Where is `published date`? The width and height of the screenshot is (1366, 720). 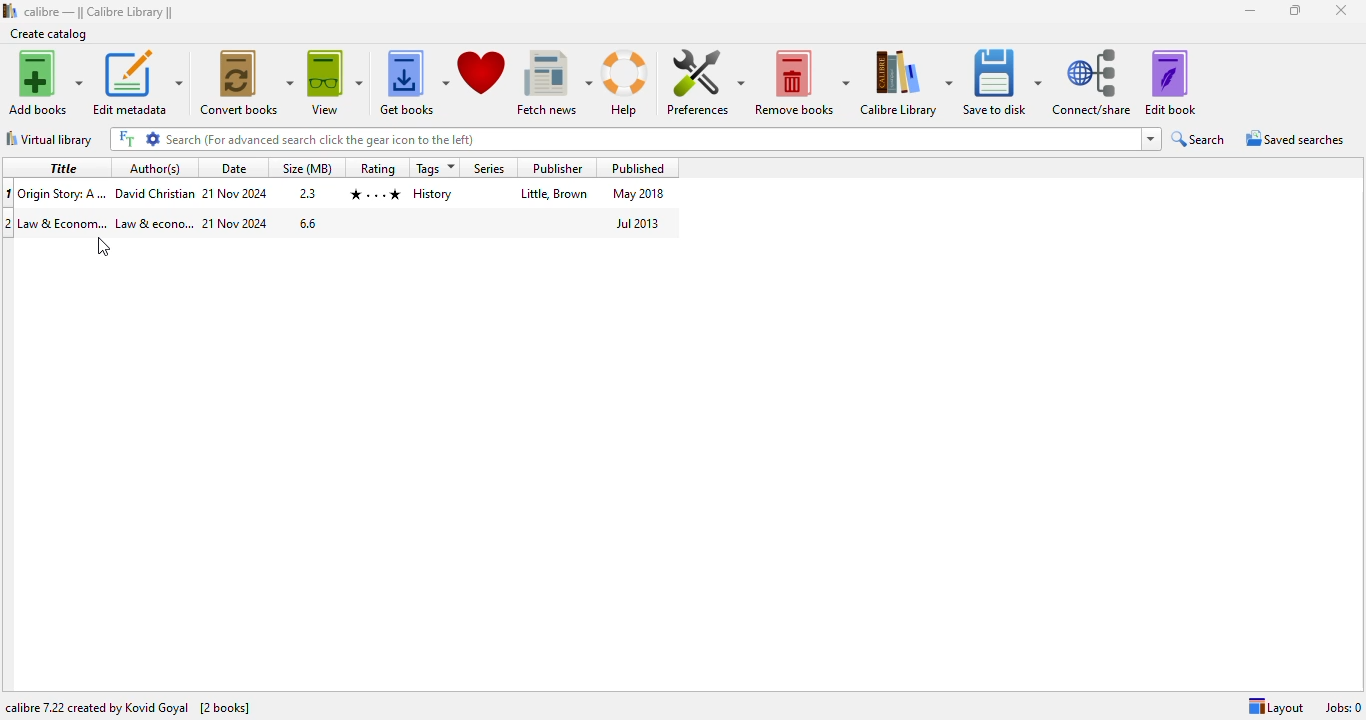
published date is located at coordinates (638, 194).